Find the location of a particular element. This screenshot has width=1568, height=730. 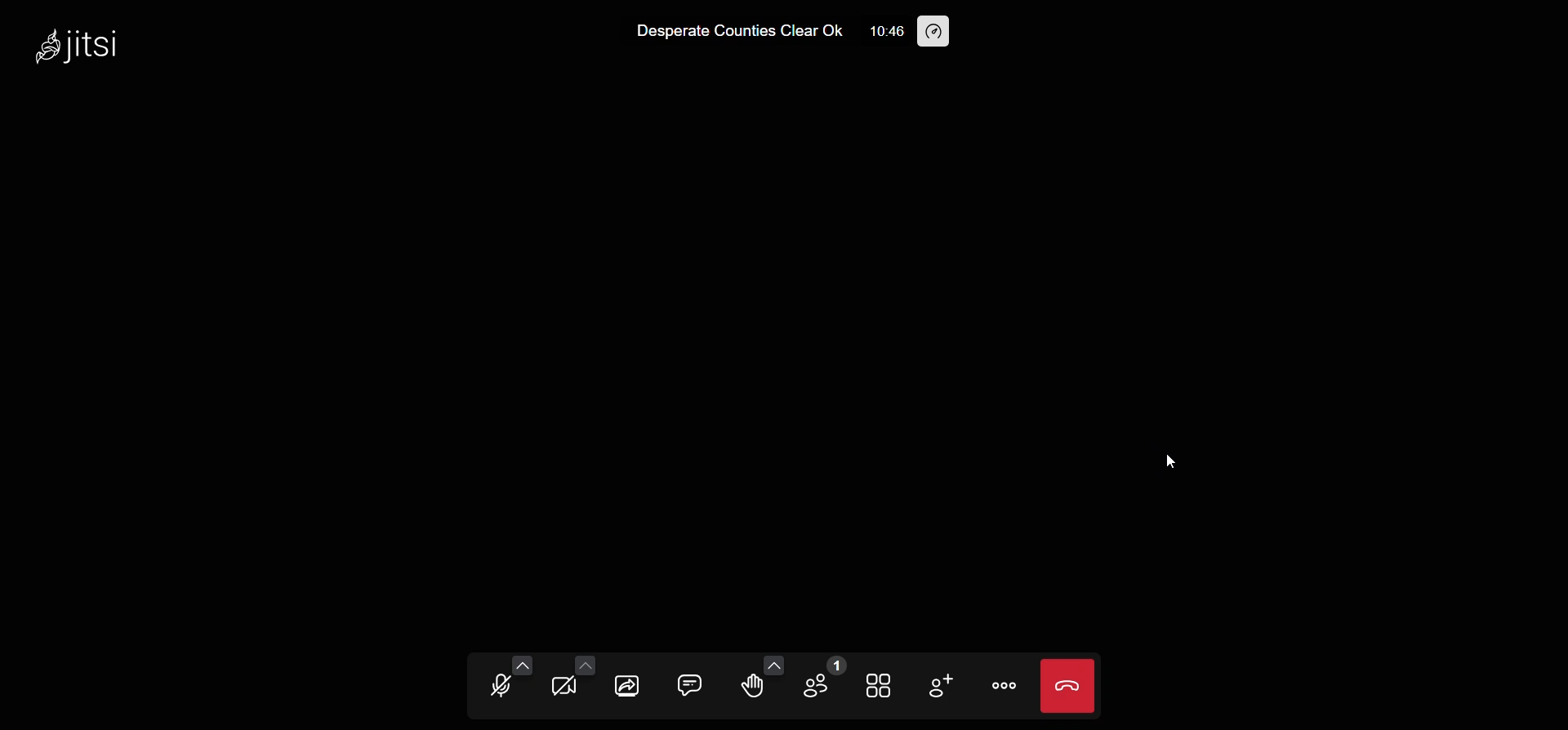

jitsi is located at coordinates (82, 41).